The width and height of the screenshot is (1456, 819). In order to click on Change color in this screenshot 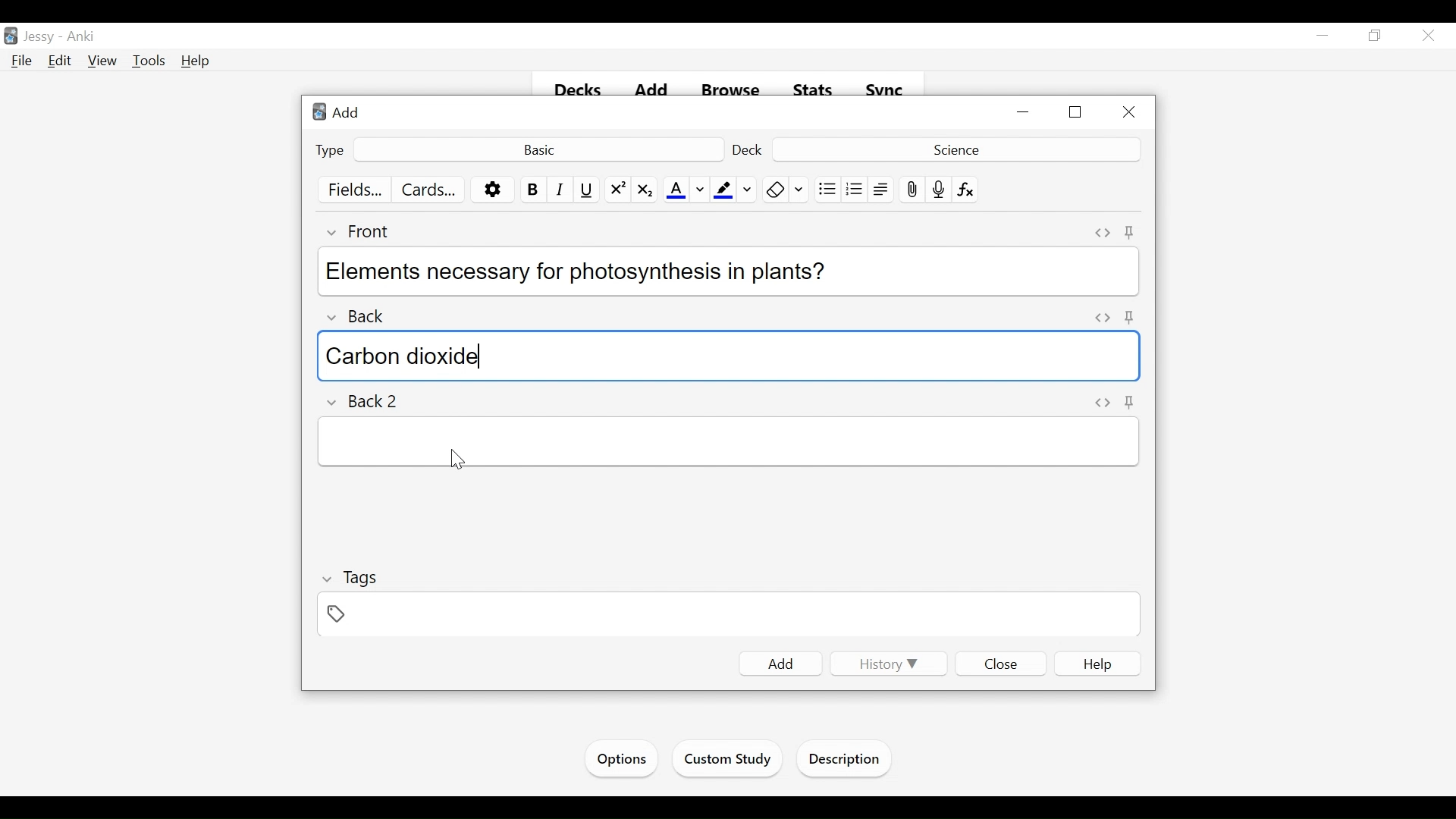, I will do `click(700, 190)`.